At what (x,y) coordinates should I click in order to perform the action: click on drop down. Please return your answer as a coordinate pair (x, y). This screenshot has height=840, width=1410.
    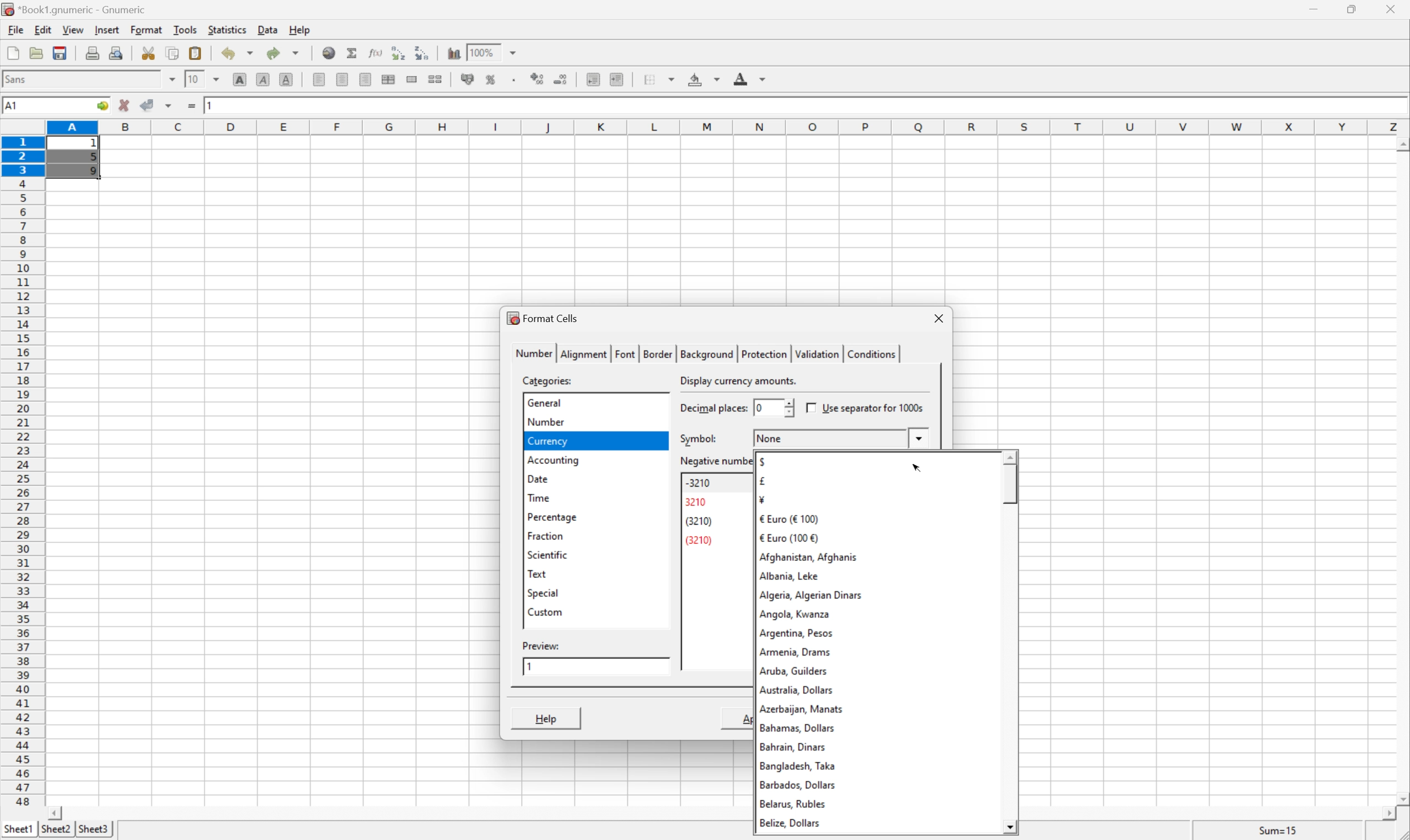
    Looking at the image, I should click on (516, 52).